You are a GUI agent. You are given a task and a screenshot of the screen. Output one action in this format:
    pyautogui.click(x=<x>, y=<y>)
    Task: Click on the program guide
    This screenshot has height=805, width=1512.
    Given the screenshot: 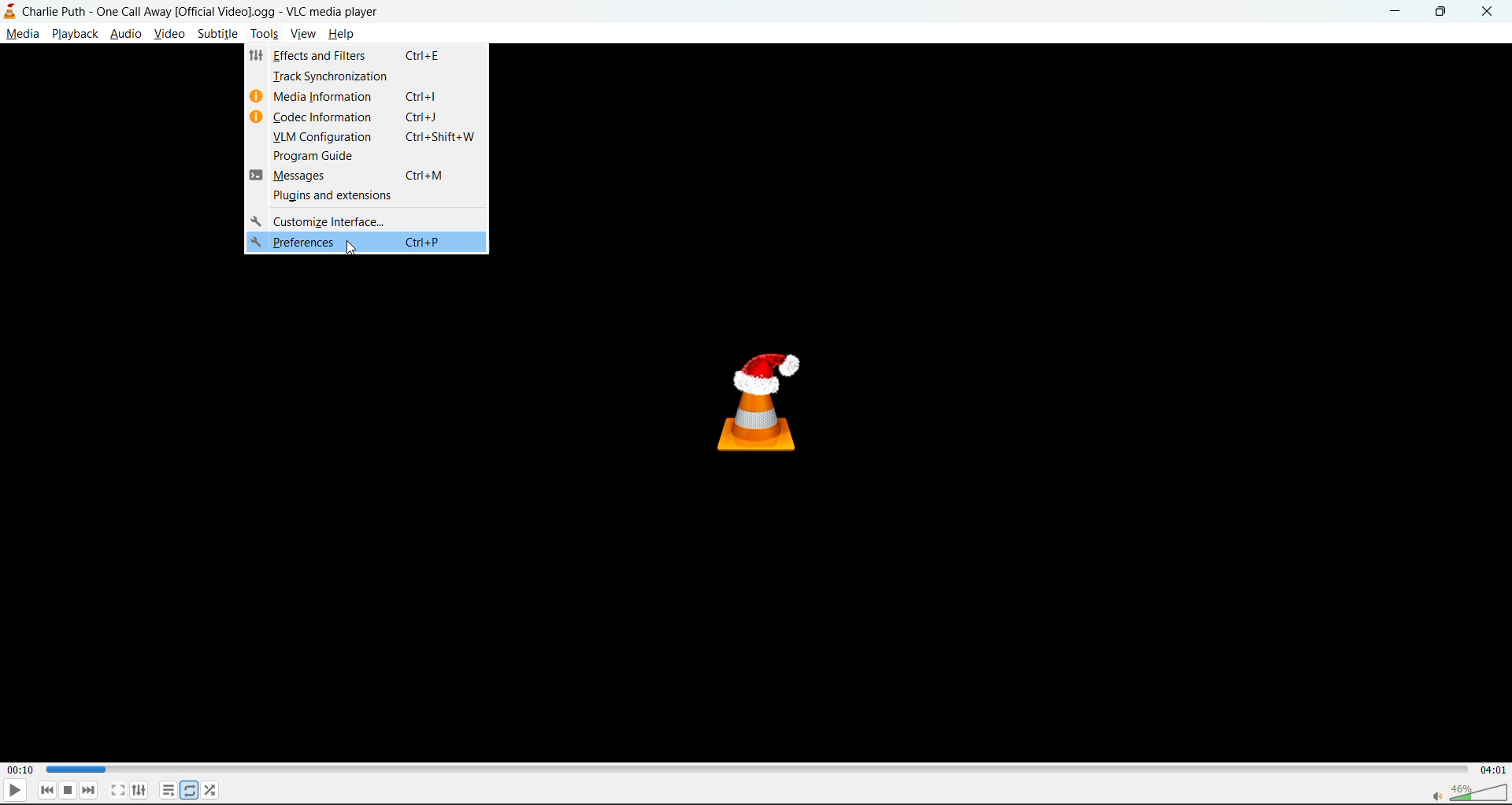 What is the action you would take?
    pyautogui.click(x=379, y=157)
    